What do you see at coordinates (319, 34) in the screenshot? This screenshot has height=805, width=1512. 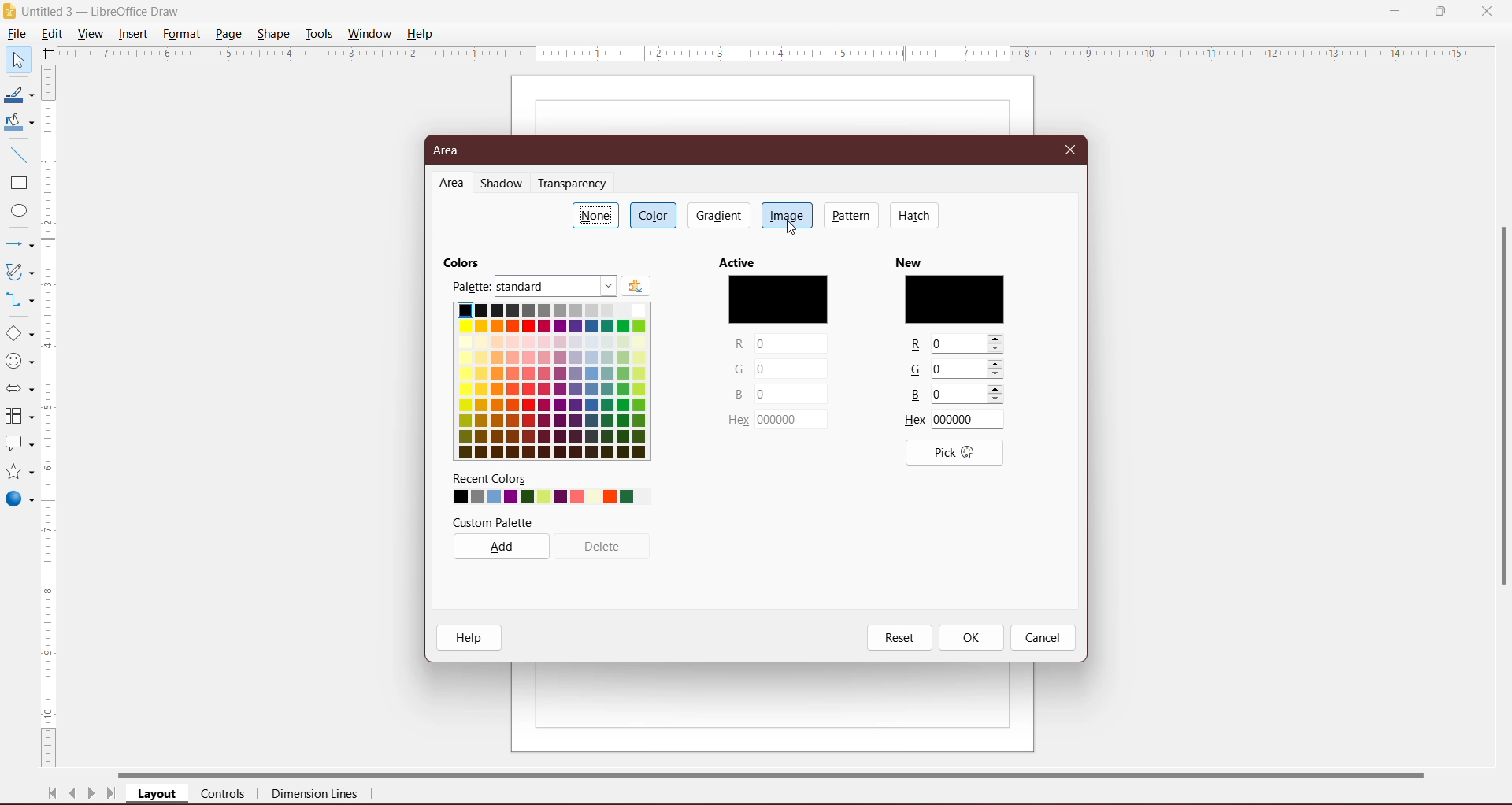 I see `Tools` at bounding box center [319, 34].